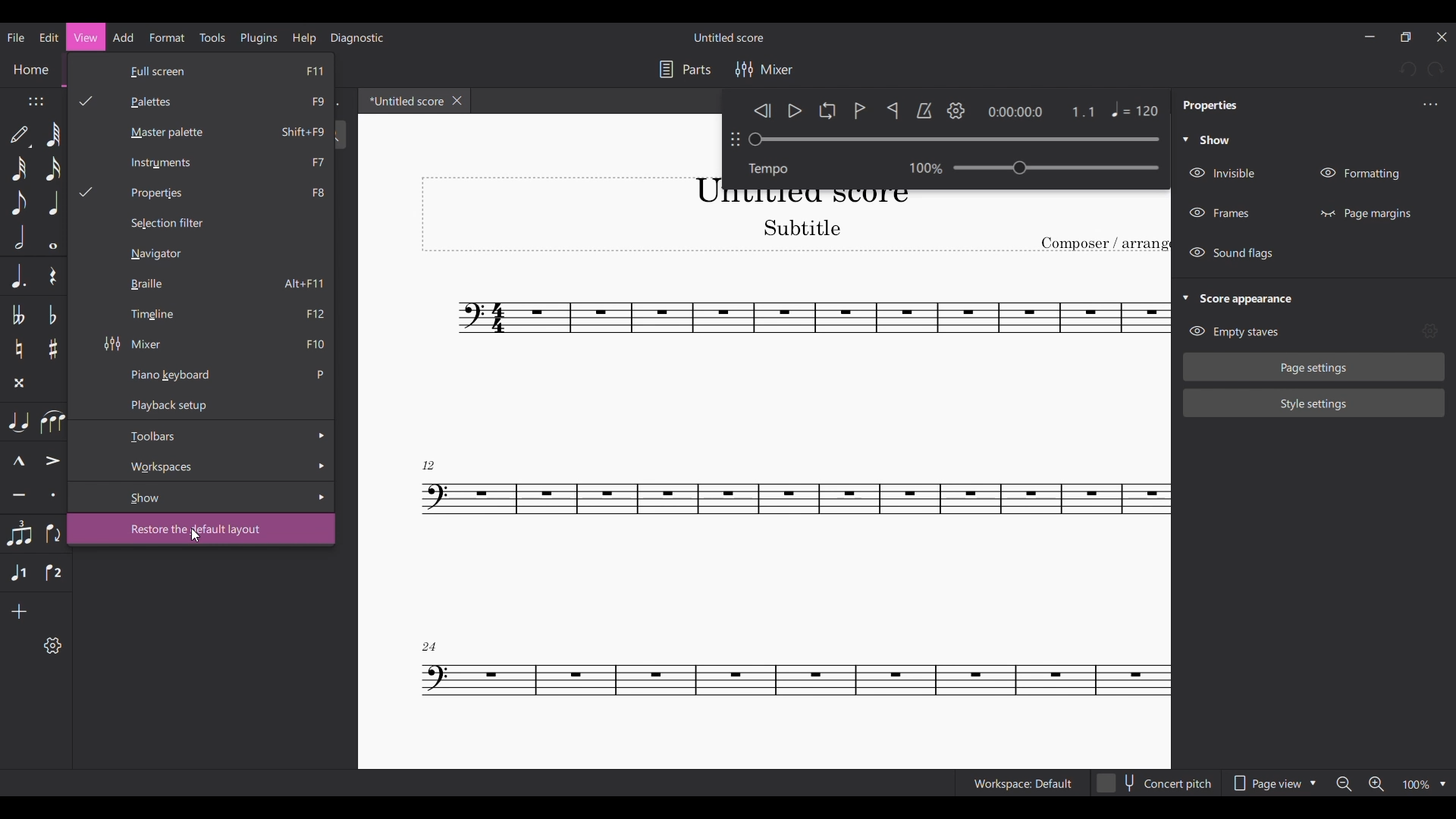 The height and width of the screenshot is (819, 1456). I want to click on Staccato, so click(52, 494).